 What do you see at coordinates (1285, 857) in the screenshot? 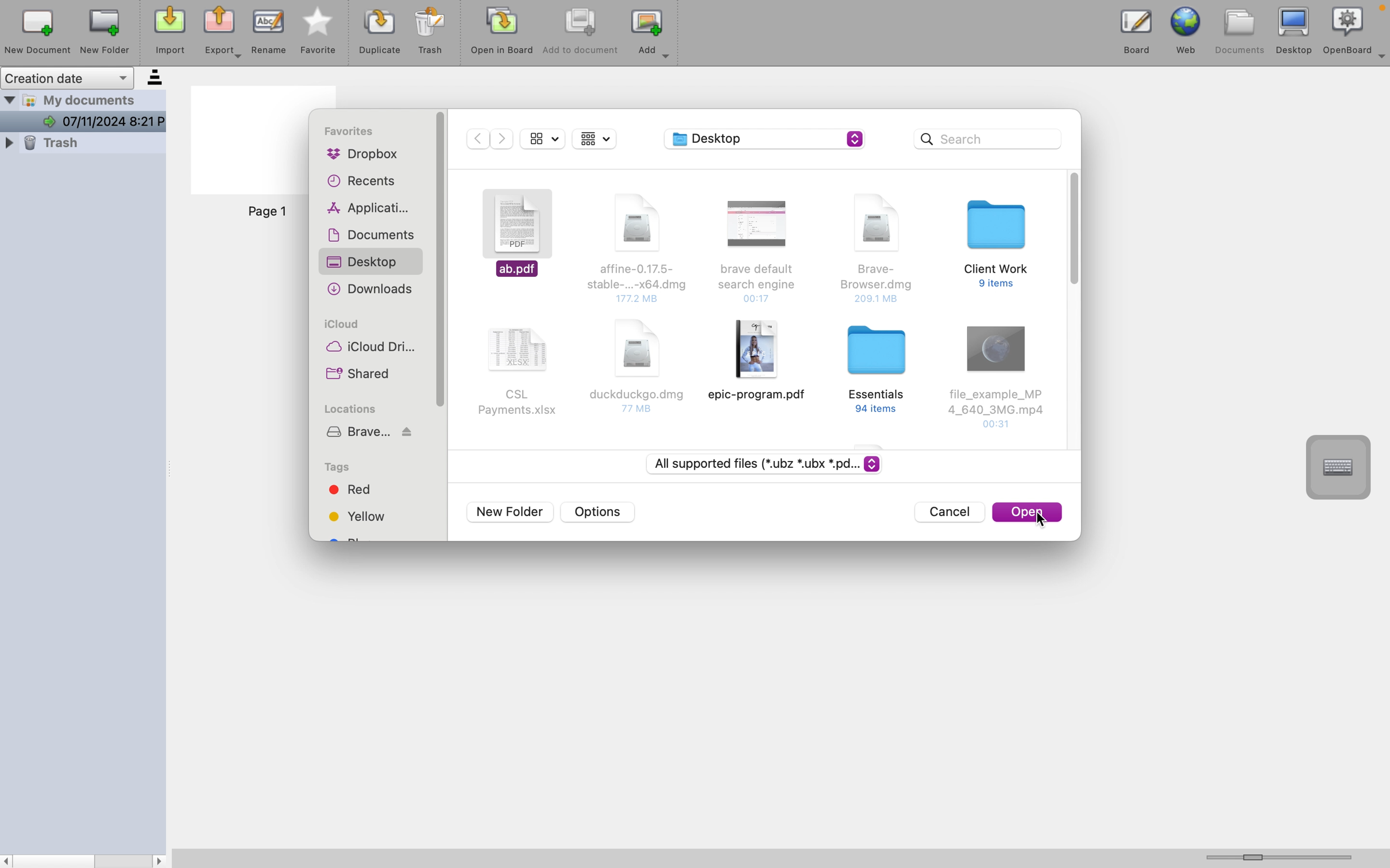
I see `horizontal scroll` at bounding box center [1285, 857].